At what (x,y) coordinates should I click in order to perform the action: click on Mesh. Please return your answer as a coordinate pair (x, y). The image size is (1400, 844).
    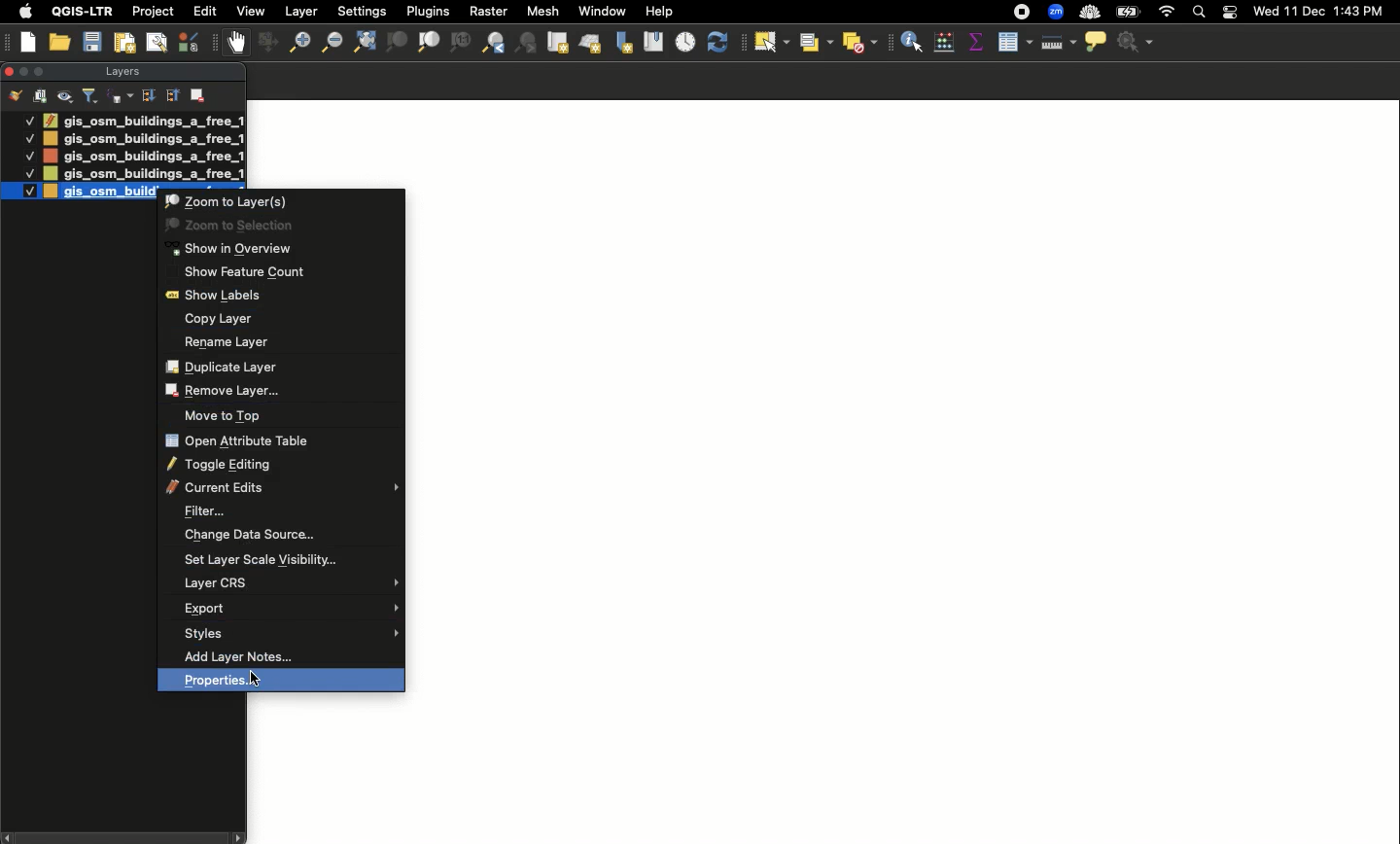
    Looking at the image, I should click on (542, 11).